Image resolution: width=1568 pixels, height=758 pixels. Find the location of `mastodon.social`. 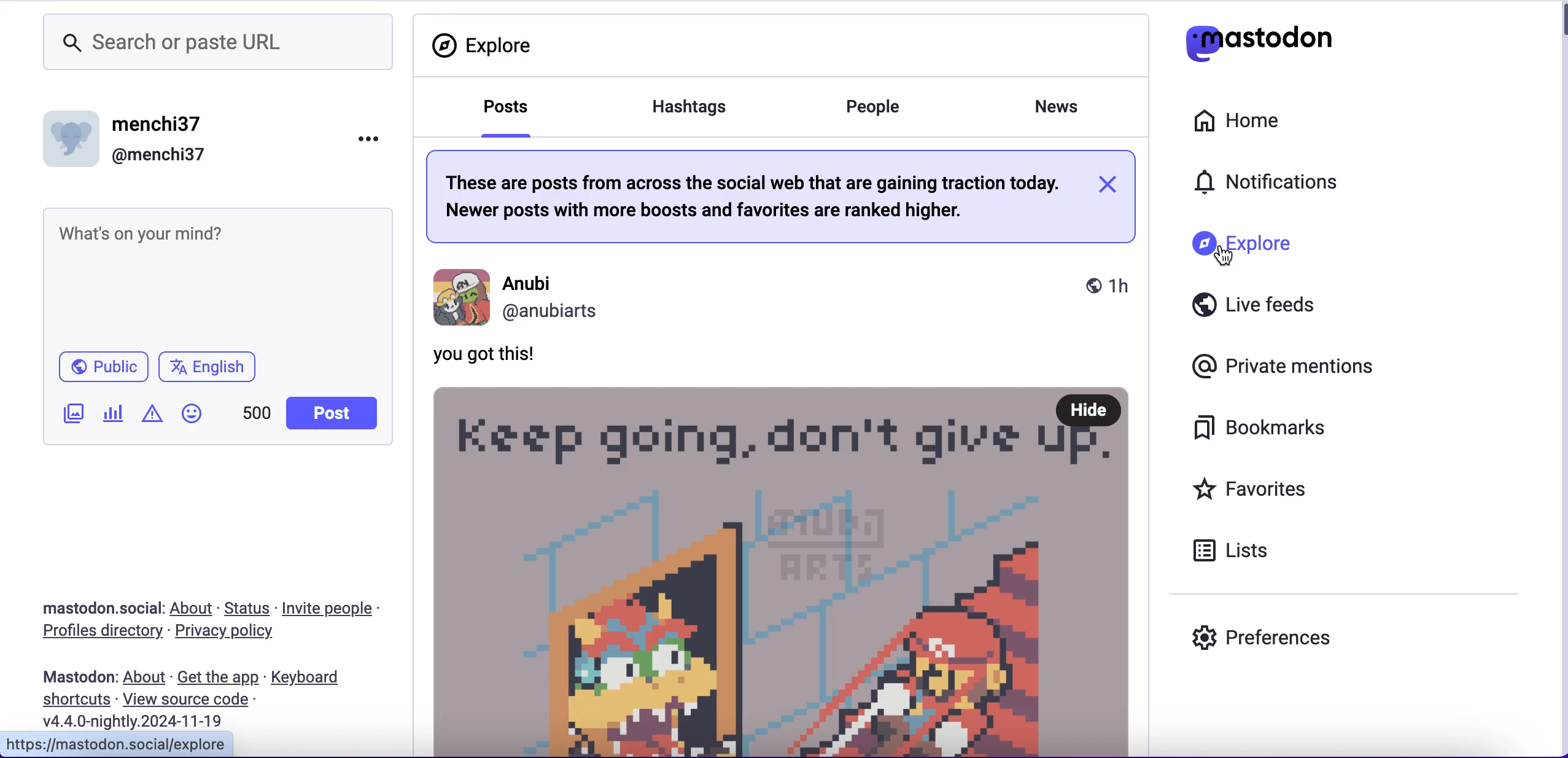

mastodon.social is located at coordinates (101, 609).